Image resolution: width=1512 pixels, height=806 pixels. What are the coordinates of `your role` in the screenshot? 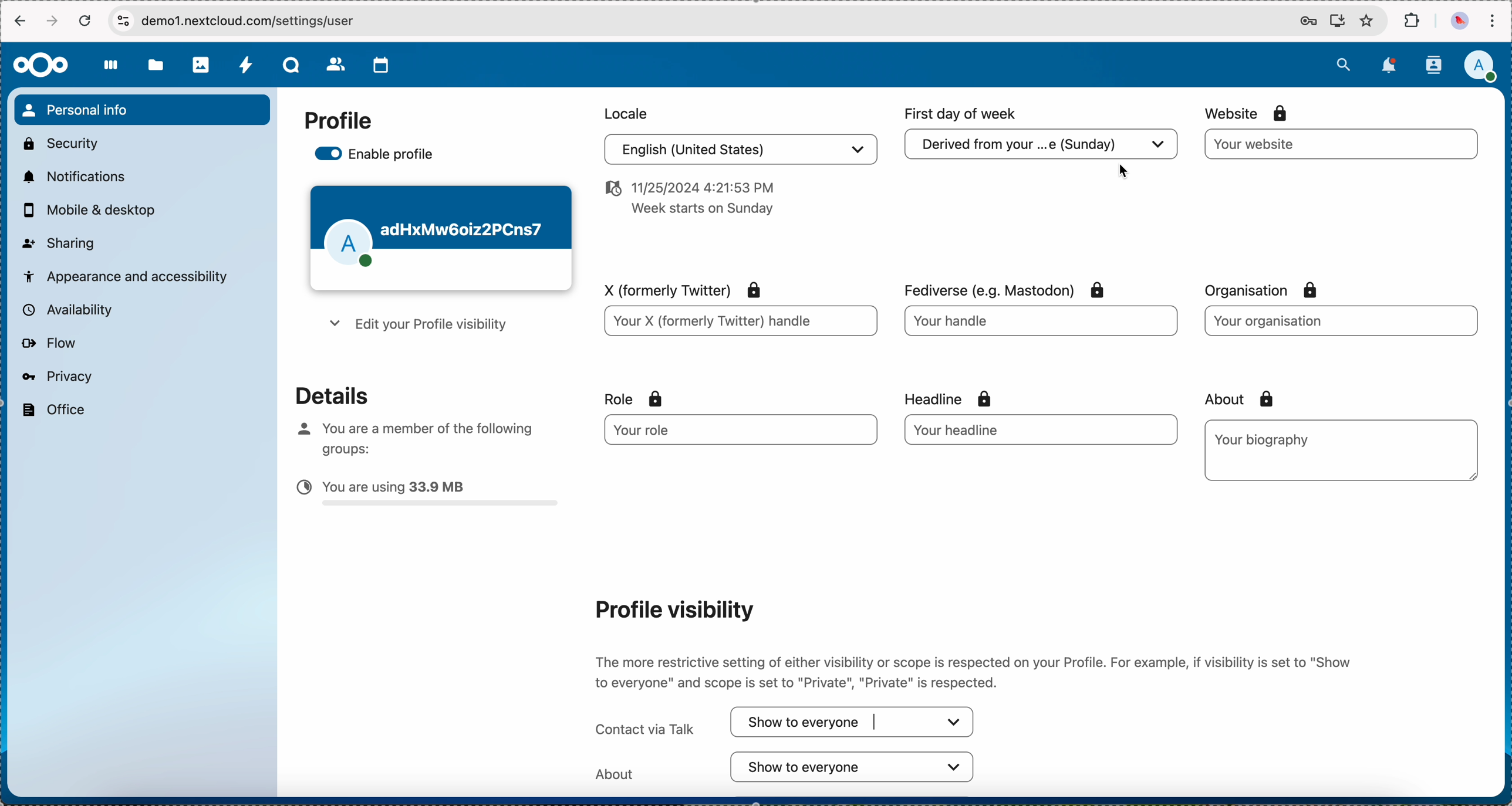 It's located at (731, 430).